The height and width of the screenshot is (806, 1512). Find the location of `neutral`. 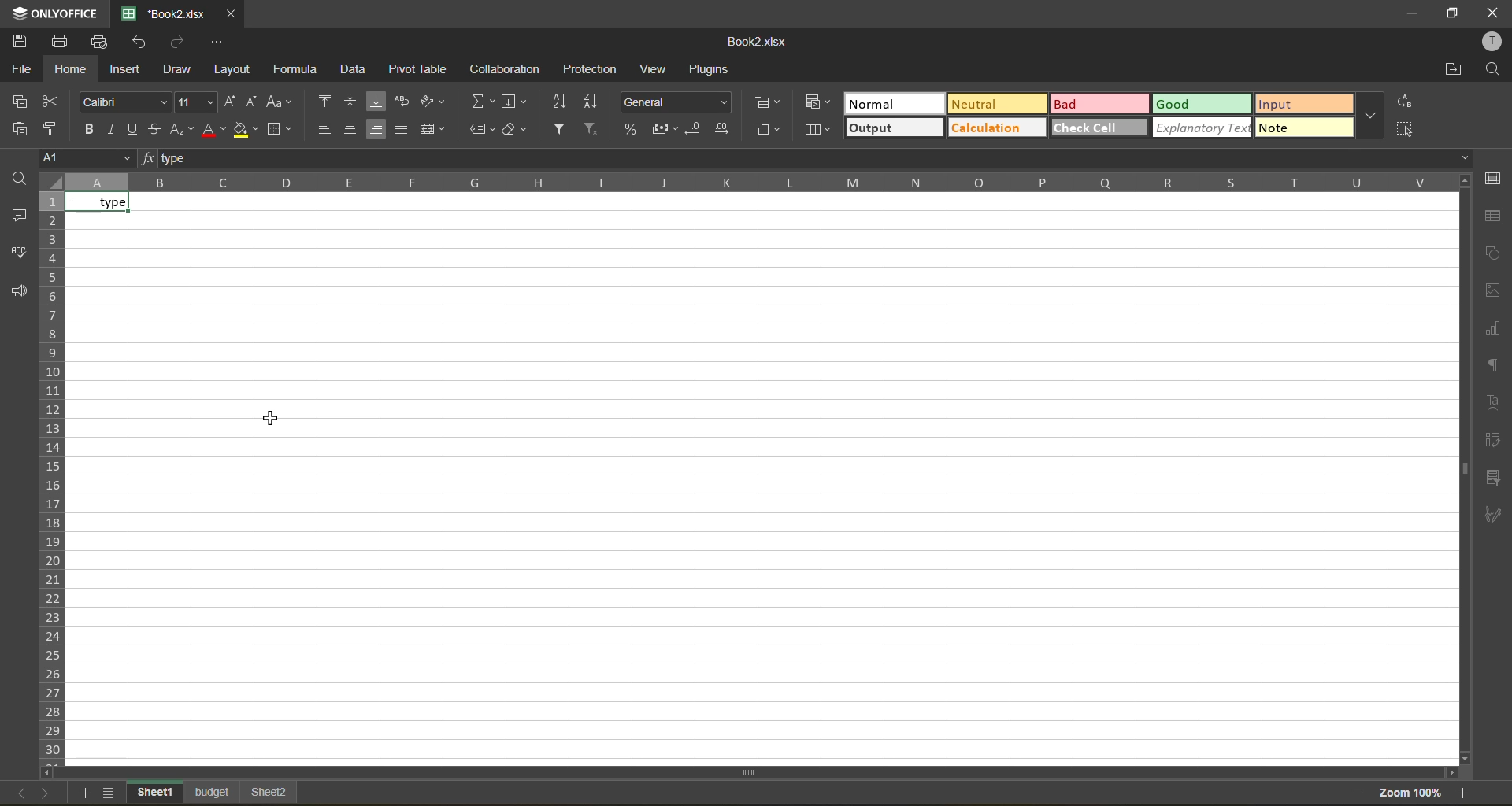

neutral is located at coordinates (995, 106).